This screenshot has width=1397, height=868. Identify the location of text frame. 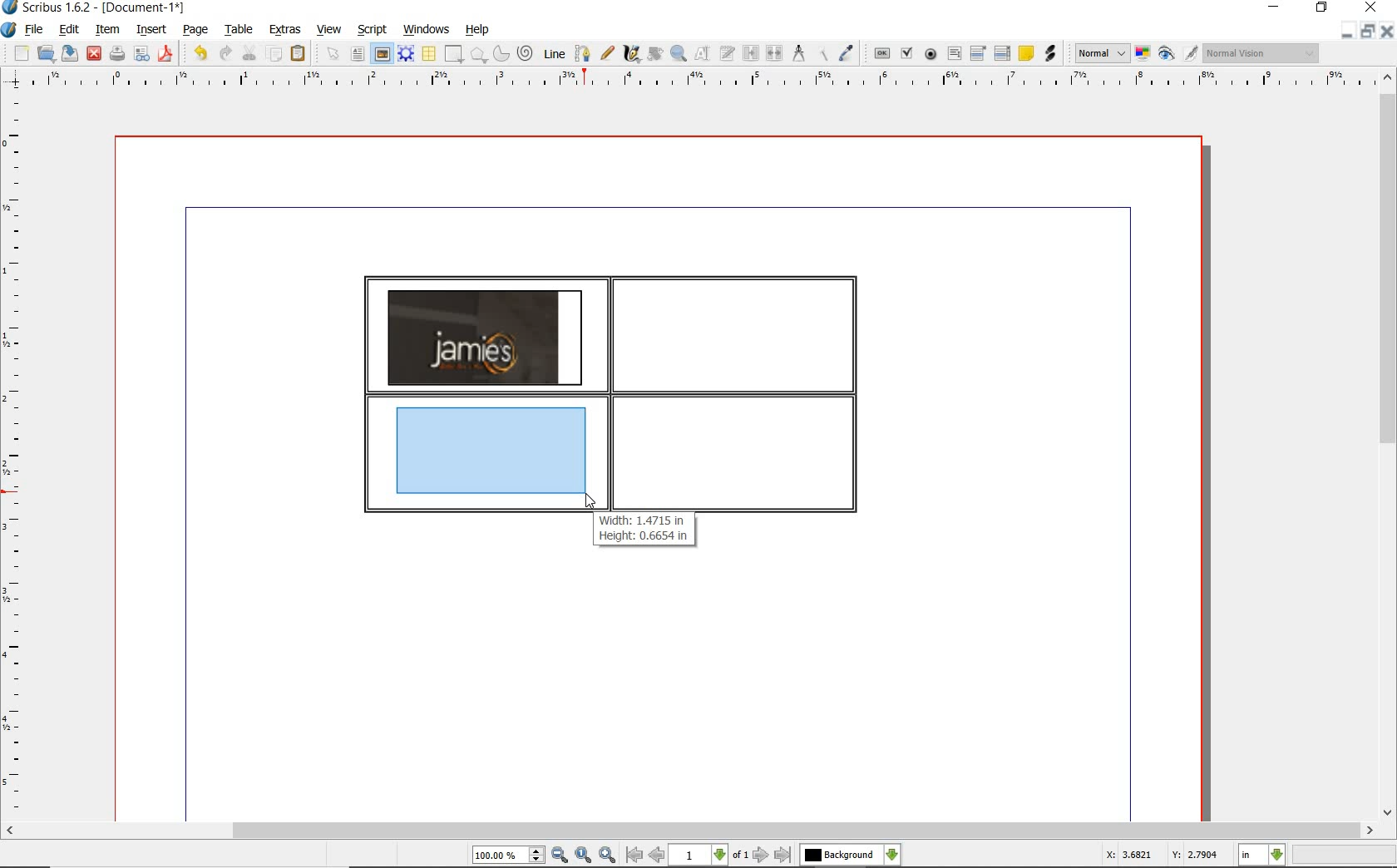
(358, 56).